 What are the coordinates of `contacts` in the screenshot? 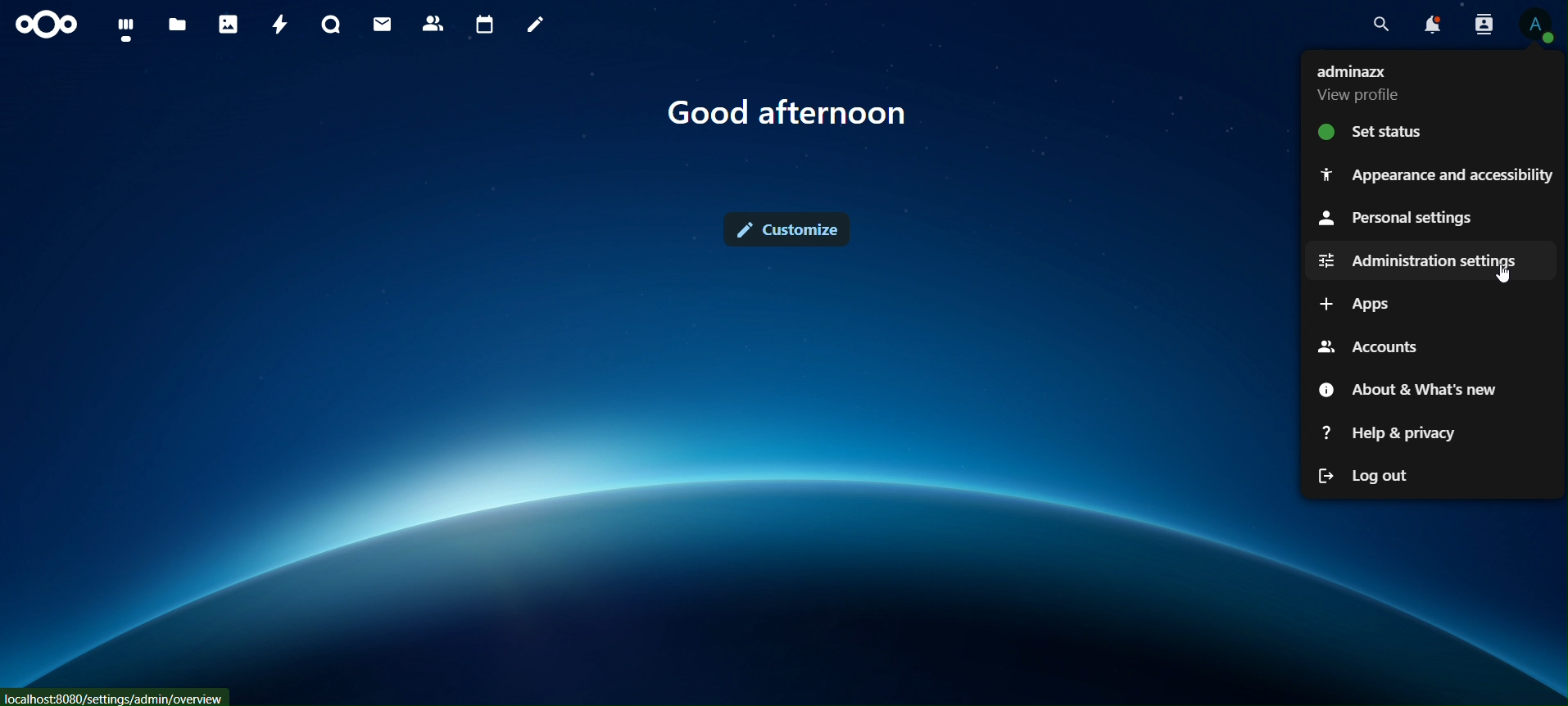 It's located at (433, 23).